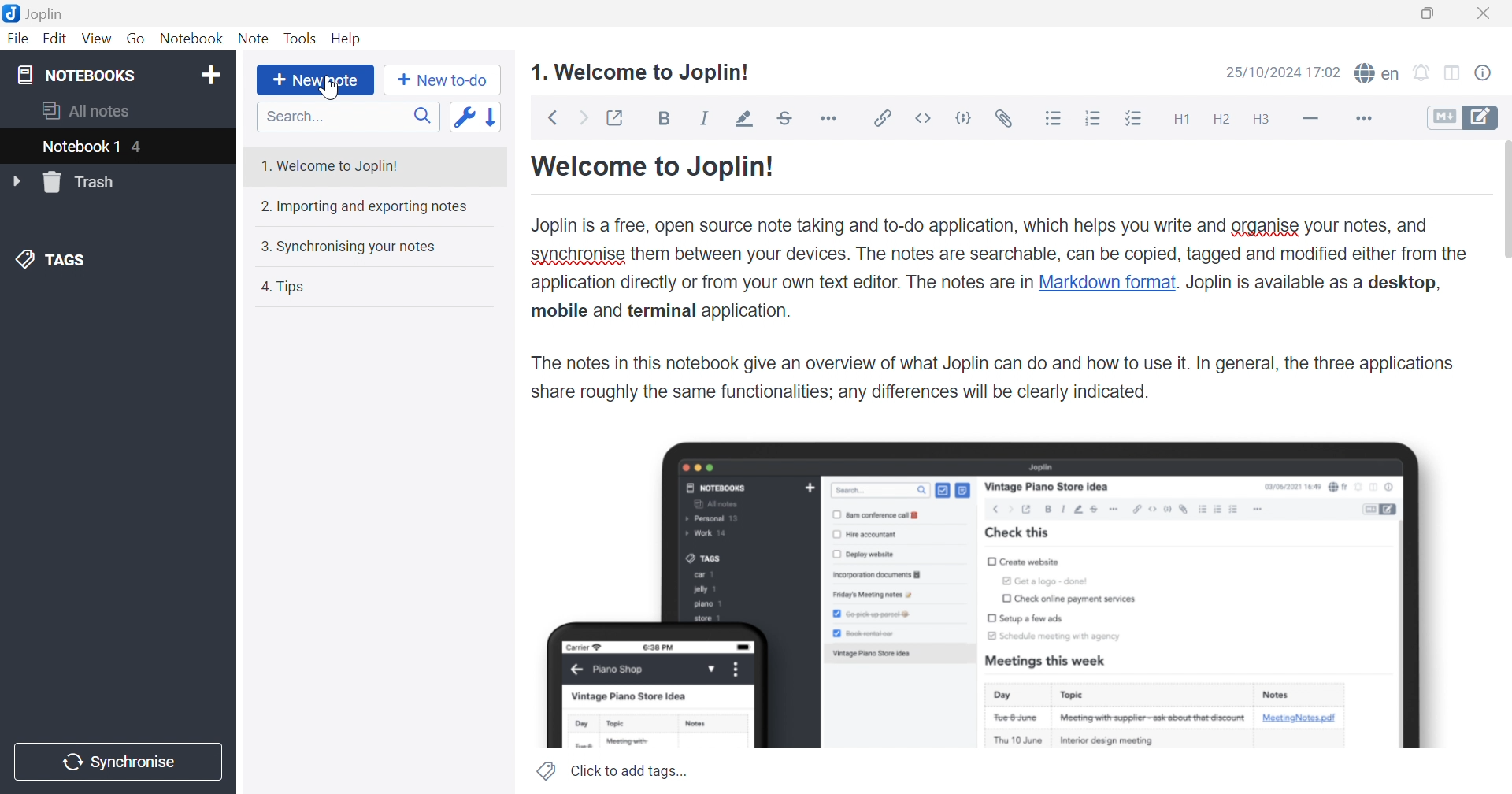 The image size is (1512, 794). Describe the element at coordinates (1284, 72) in the screenshot. I see `25/10/2024 17:02` at that location.